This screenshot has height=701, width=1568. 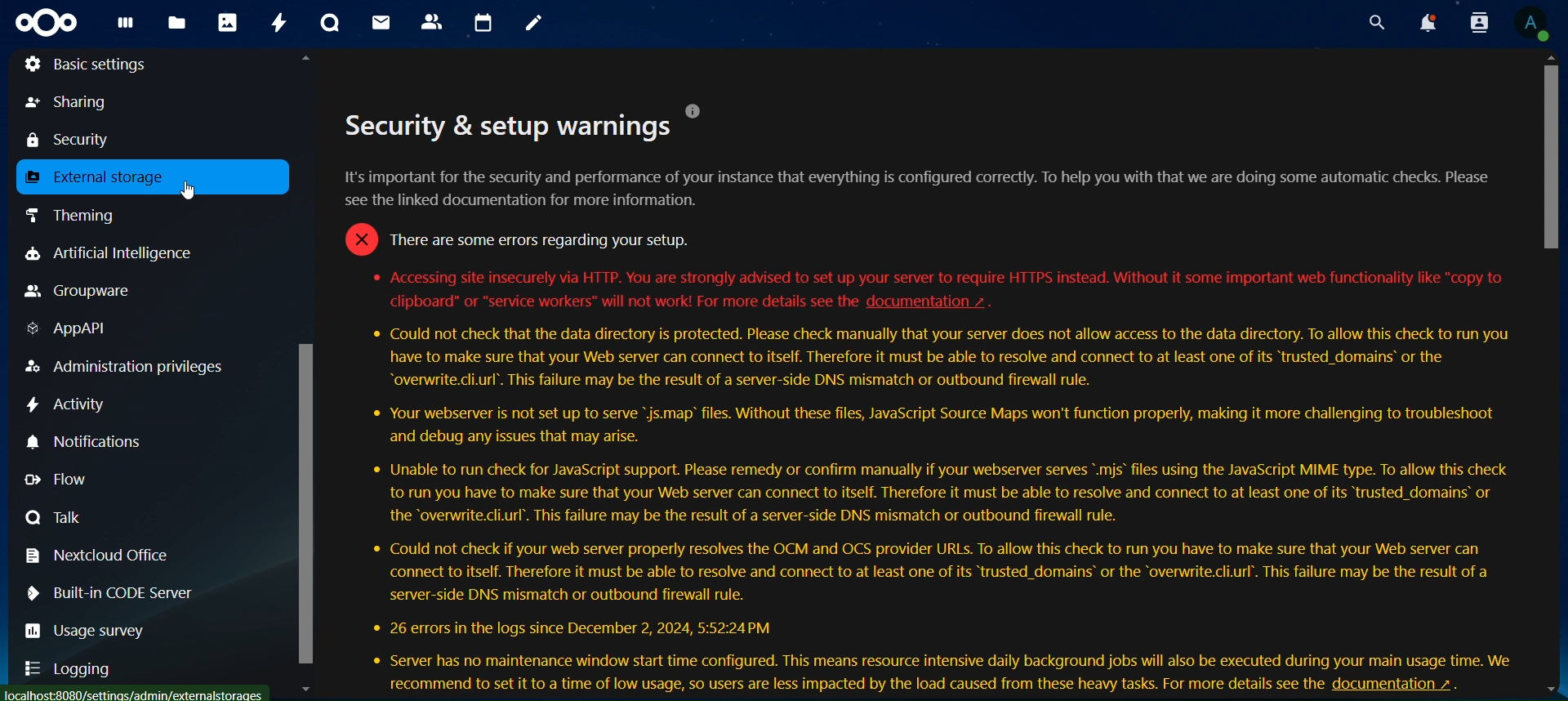 I want to click on contact, so click(x=433, y=22).